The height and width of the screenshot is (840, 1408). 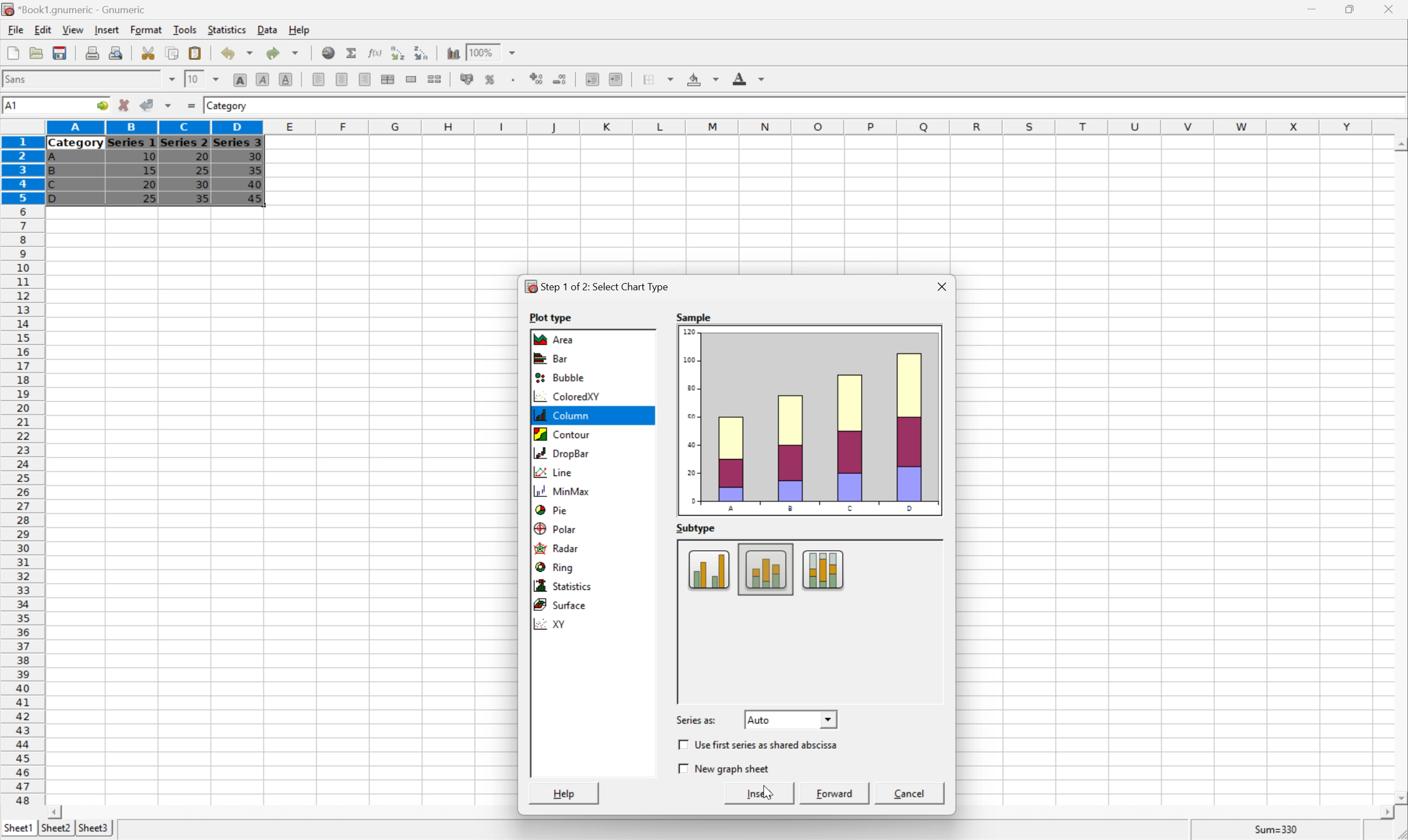 I want to click on Auto, so click(x=767, y=719).